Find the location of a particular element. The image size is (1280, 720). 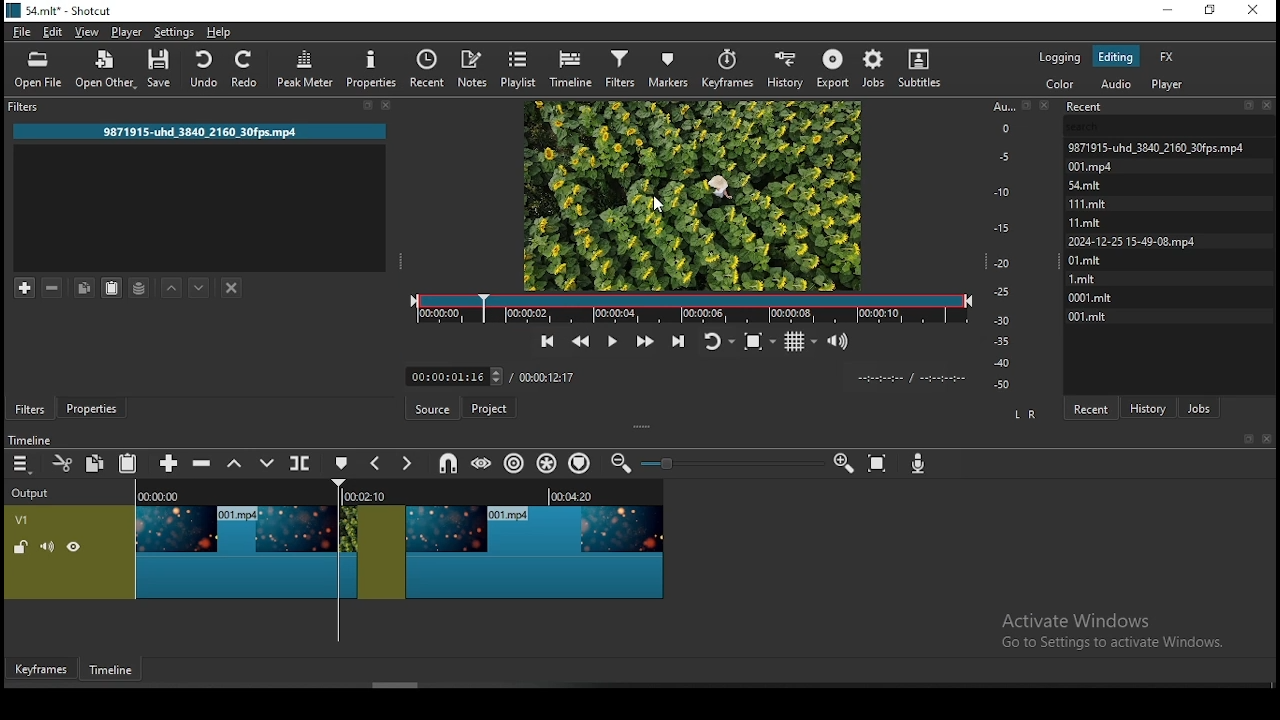

video track is located at coordinates (399, 541).